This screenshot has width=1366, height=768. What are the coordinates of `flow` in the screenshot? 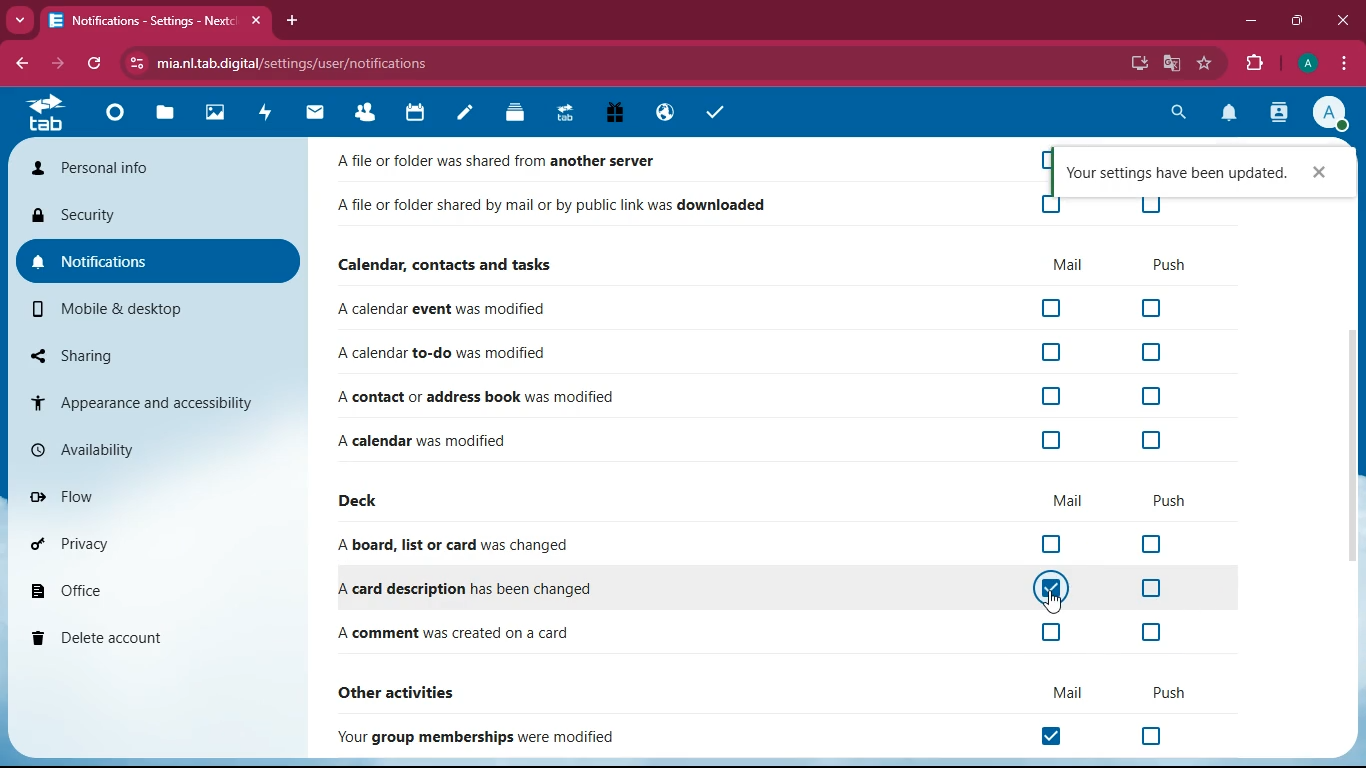 It's located at (154, 493).